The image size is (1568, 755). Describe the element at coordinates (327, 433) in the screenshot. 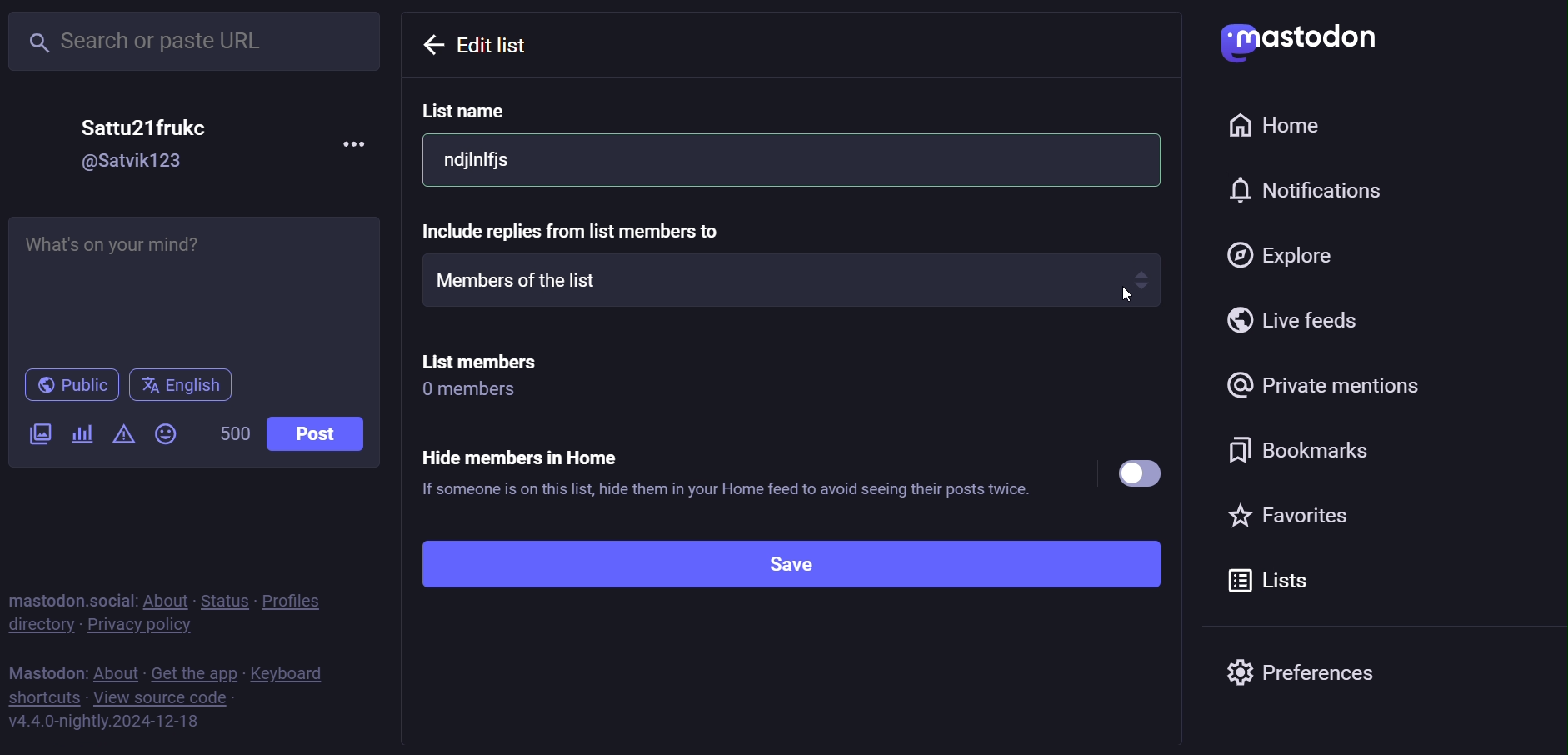

I see `post` at that location.